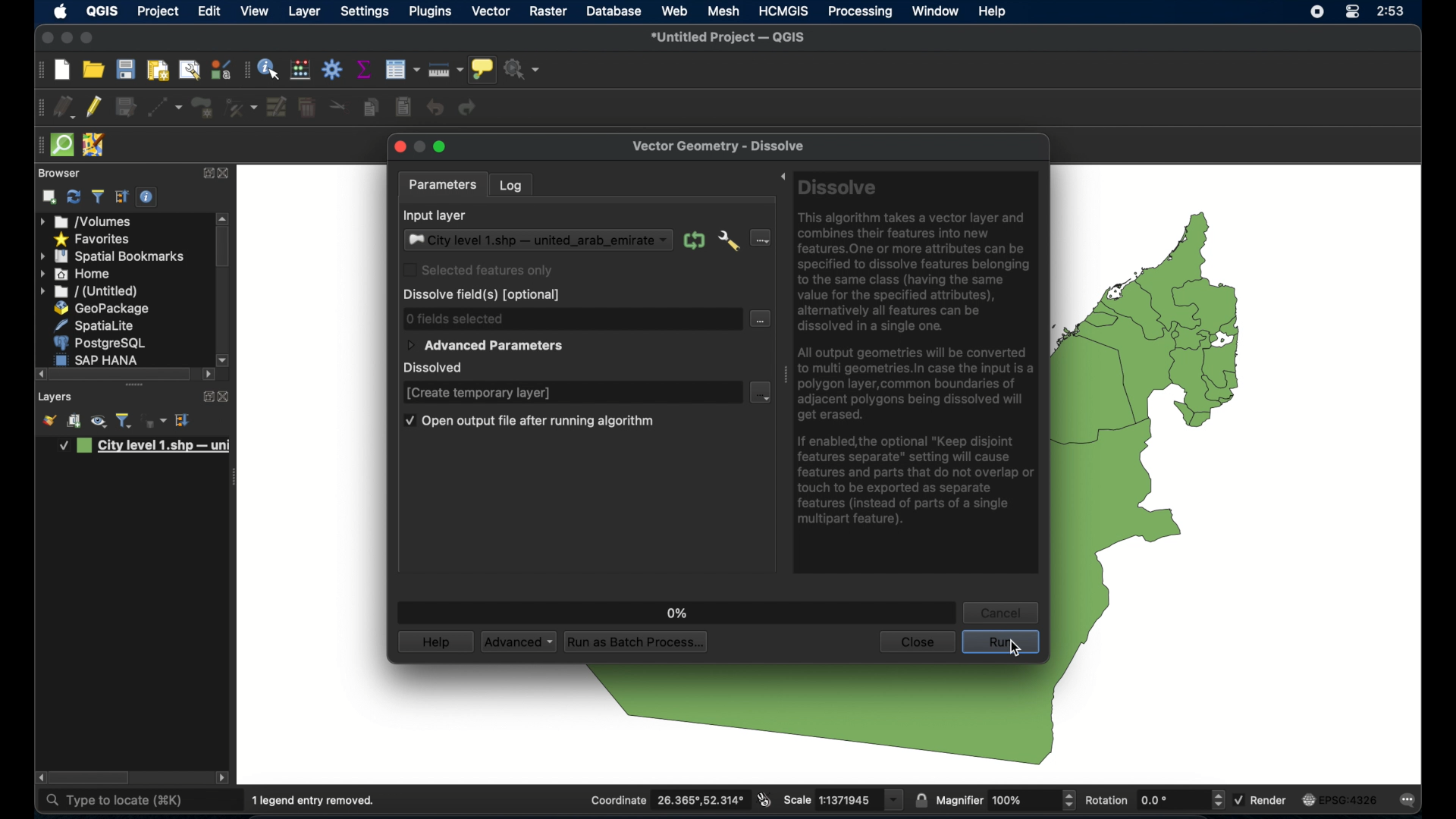  Describe the element at coordinates (86, 221) in the screenshot. I see `volumes` at that location.